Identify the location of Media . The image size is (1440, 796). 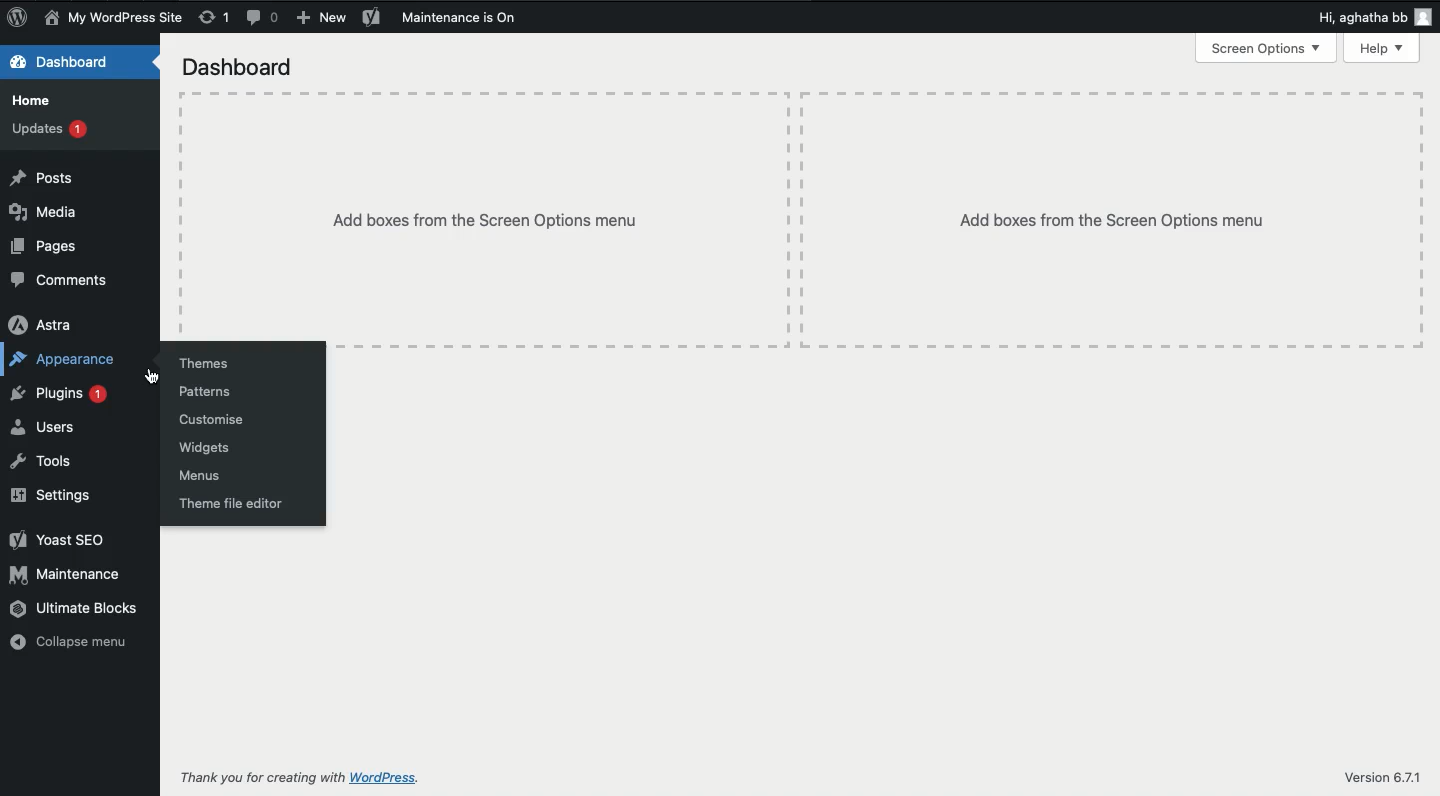
(44, 213).